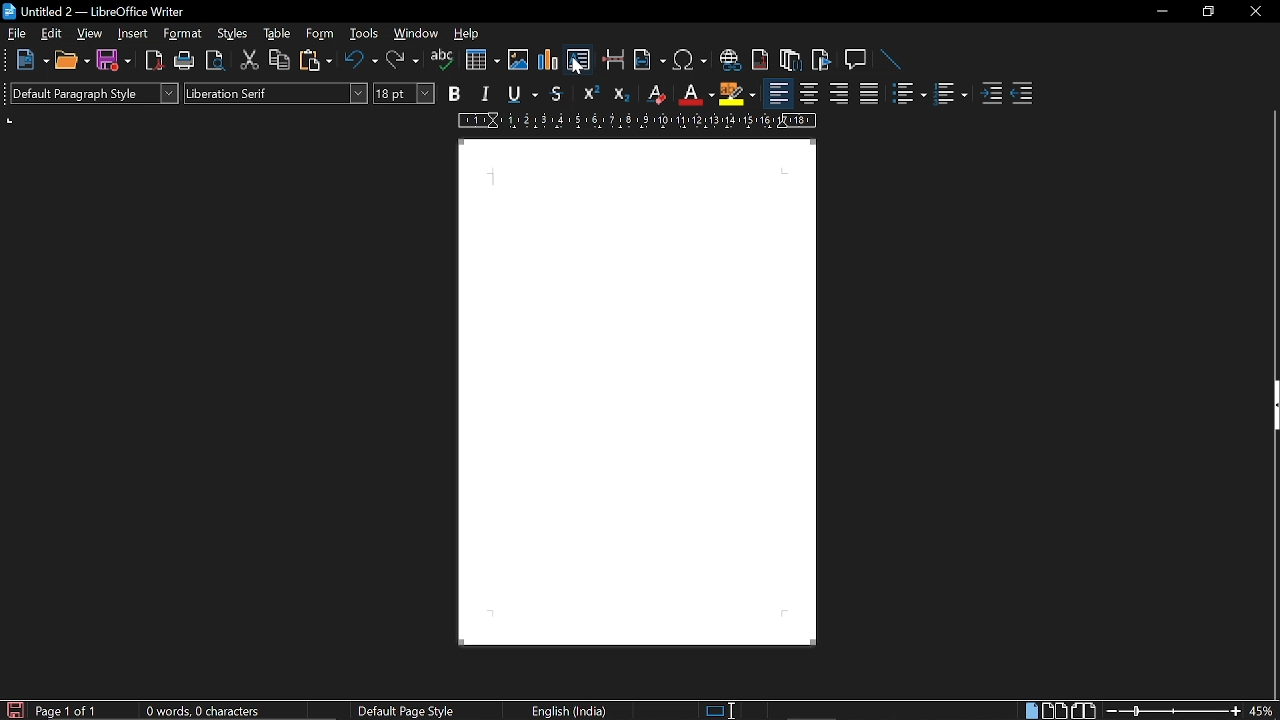 The image size is (1280, 720). I want to click on paste, so click(318, 63).